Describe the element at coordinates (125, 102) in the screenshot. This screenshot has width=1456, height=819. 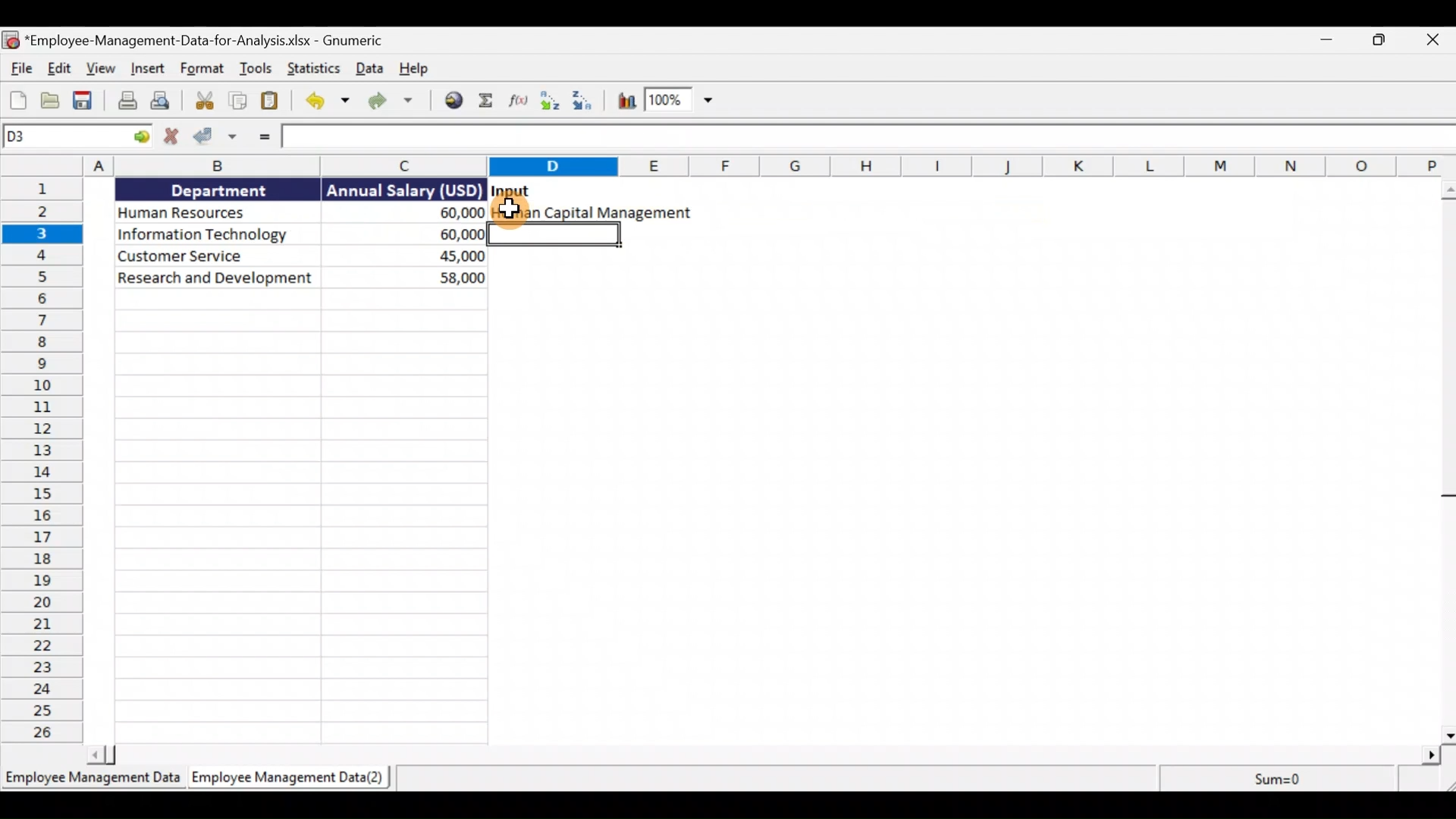
I see `Print the current file` at that location.